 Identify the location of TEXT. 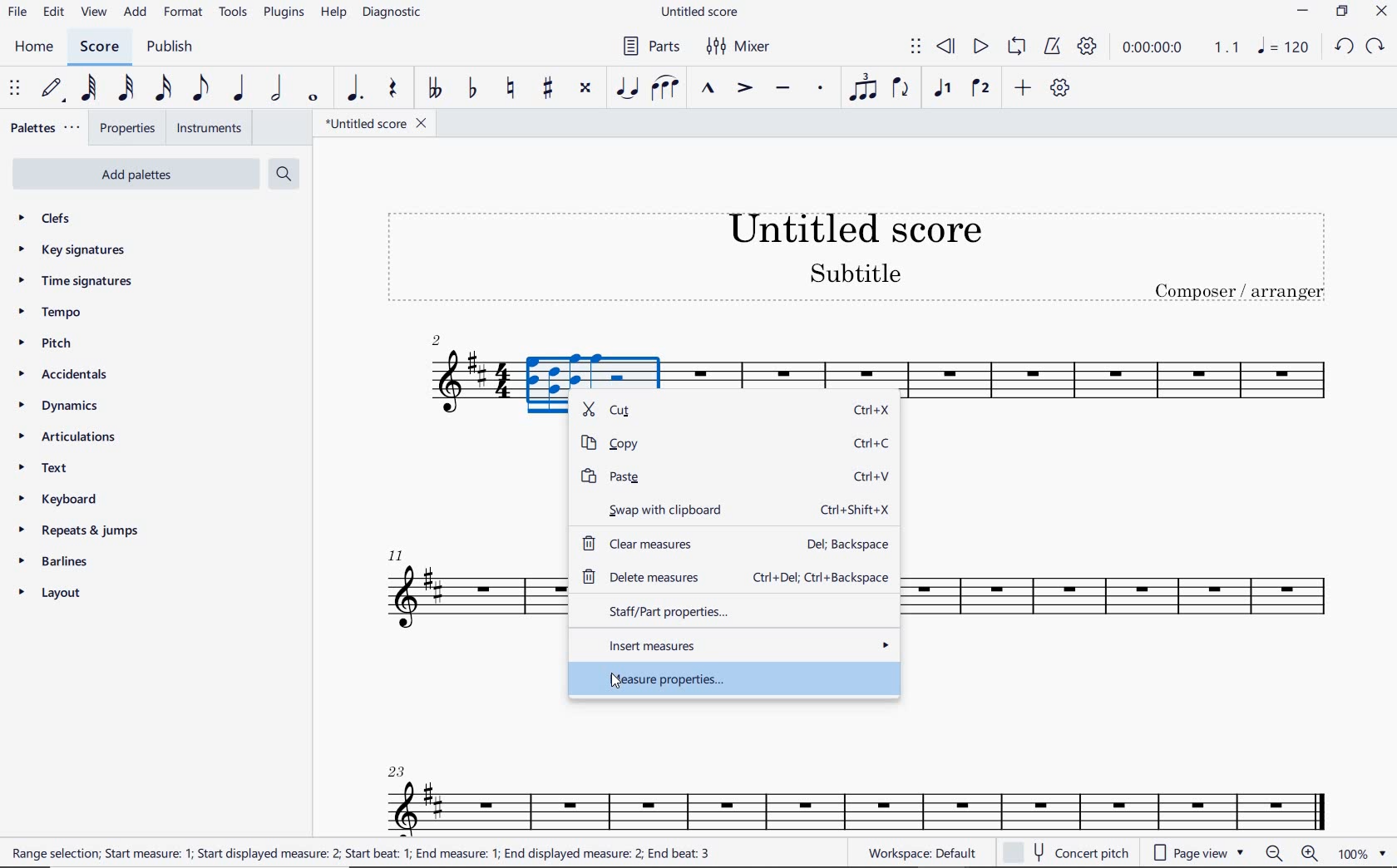
(47, 470).